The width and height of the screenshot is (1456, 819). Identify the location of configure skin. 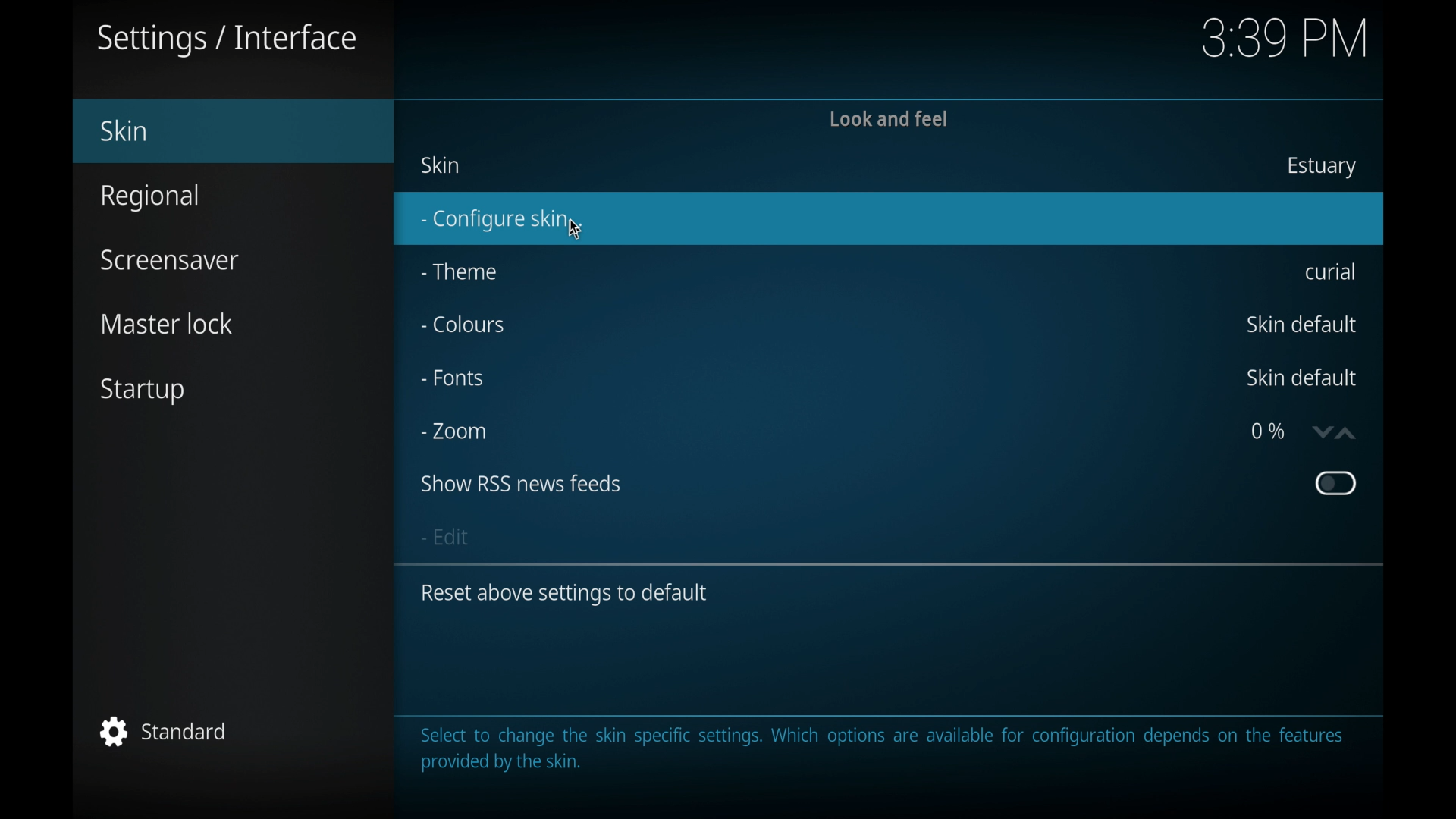
(890, 219).